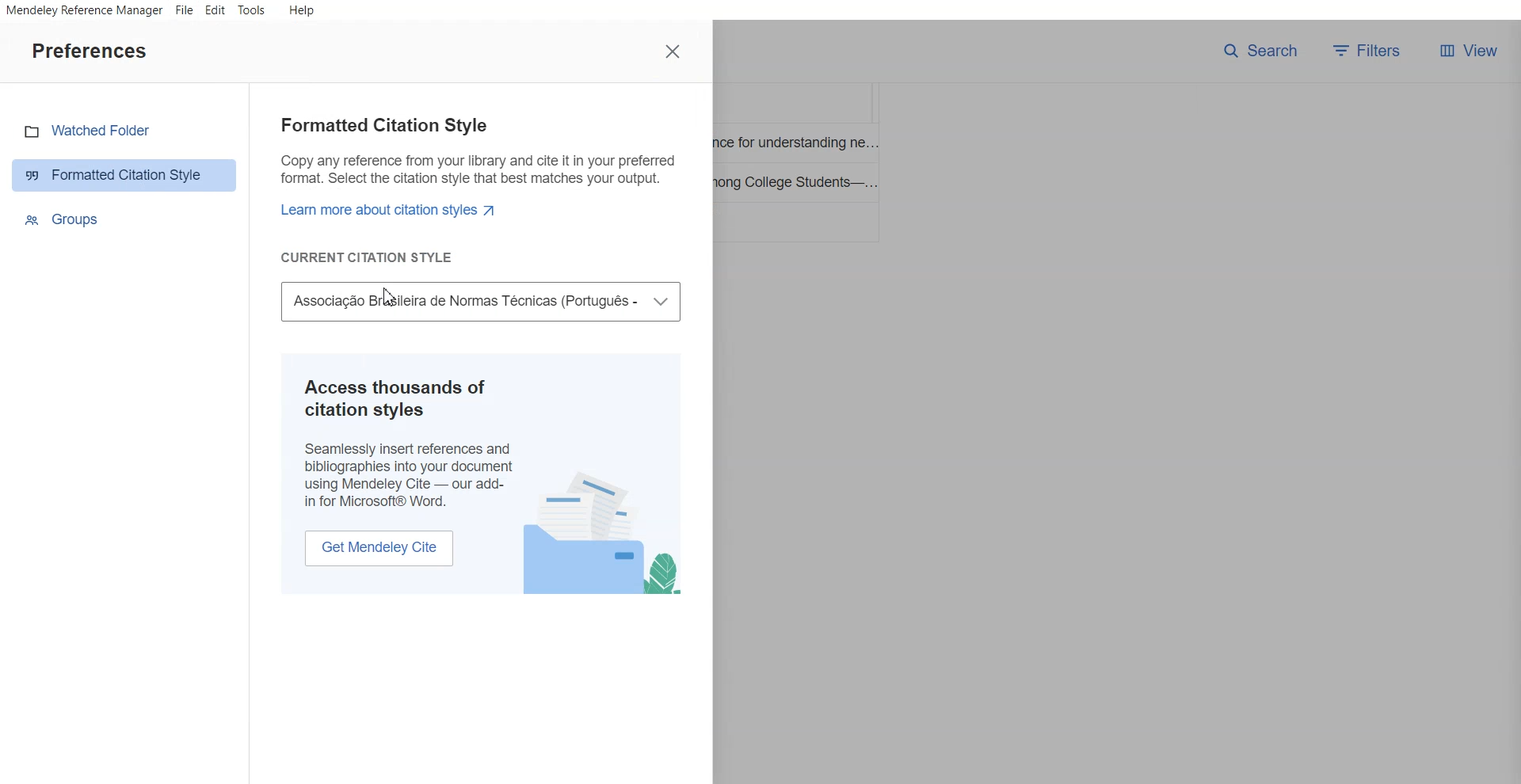  What do you see at coordinates (125, 174) in the screenshot?
I see `Formatted caption Style` at bounding box center [125, 174].